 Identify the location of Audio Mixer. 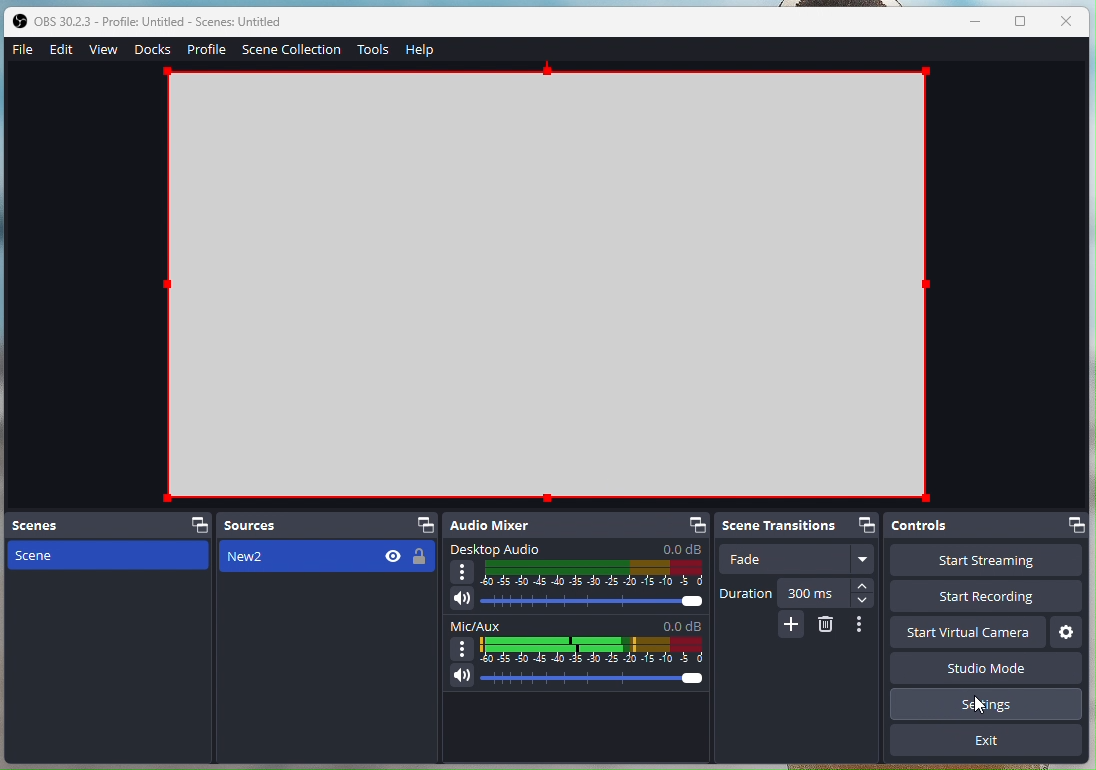
(504, 524).